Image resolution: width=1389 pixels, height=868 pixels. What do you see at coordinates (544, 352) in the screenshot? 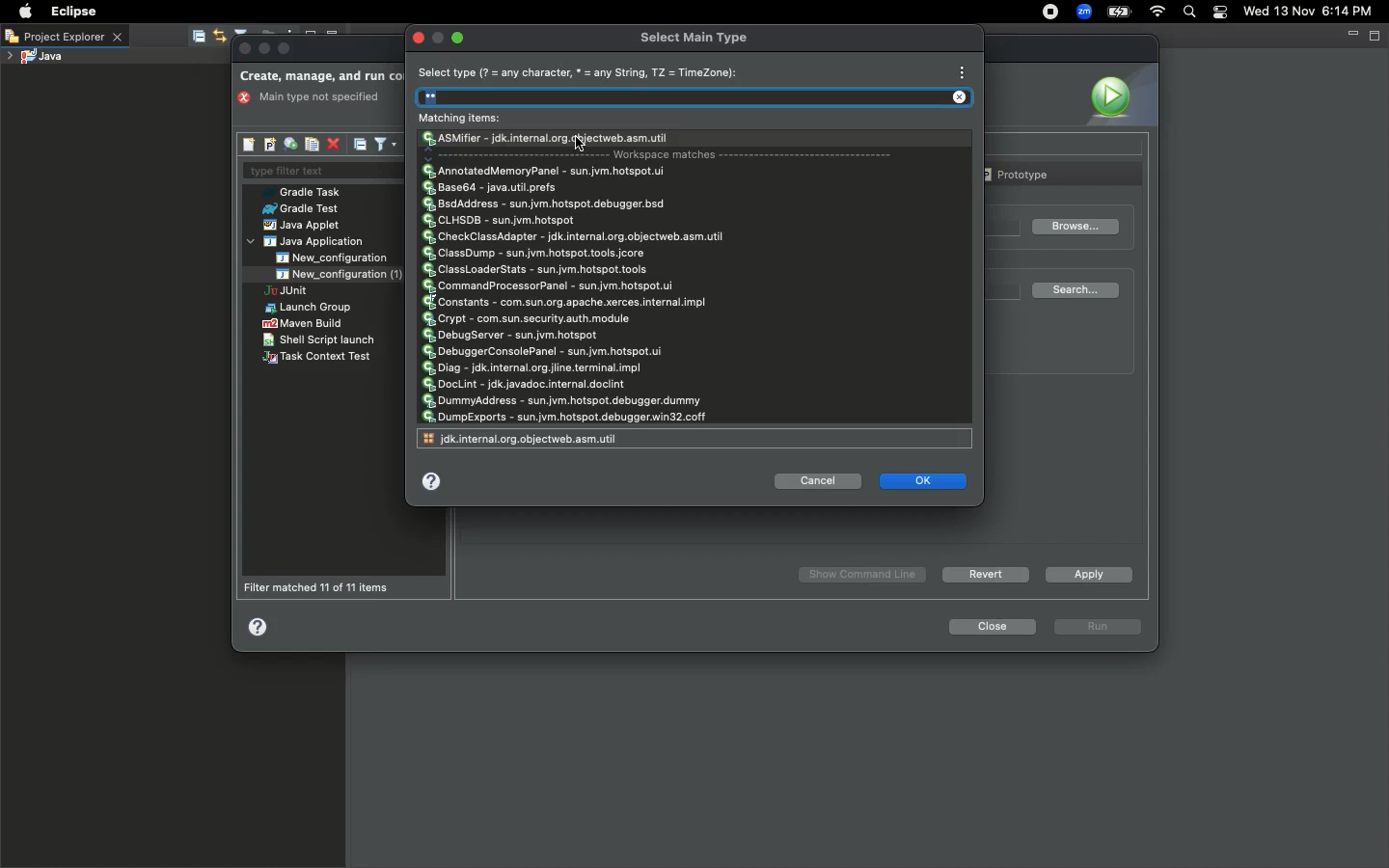
I see `DebuggerConsolePanel - sun.jvm.hotspot.ui` at bounding box center [544, 352].